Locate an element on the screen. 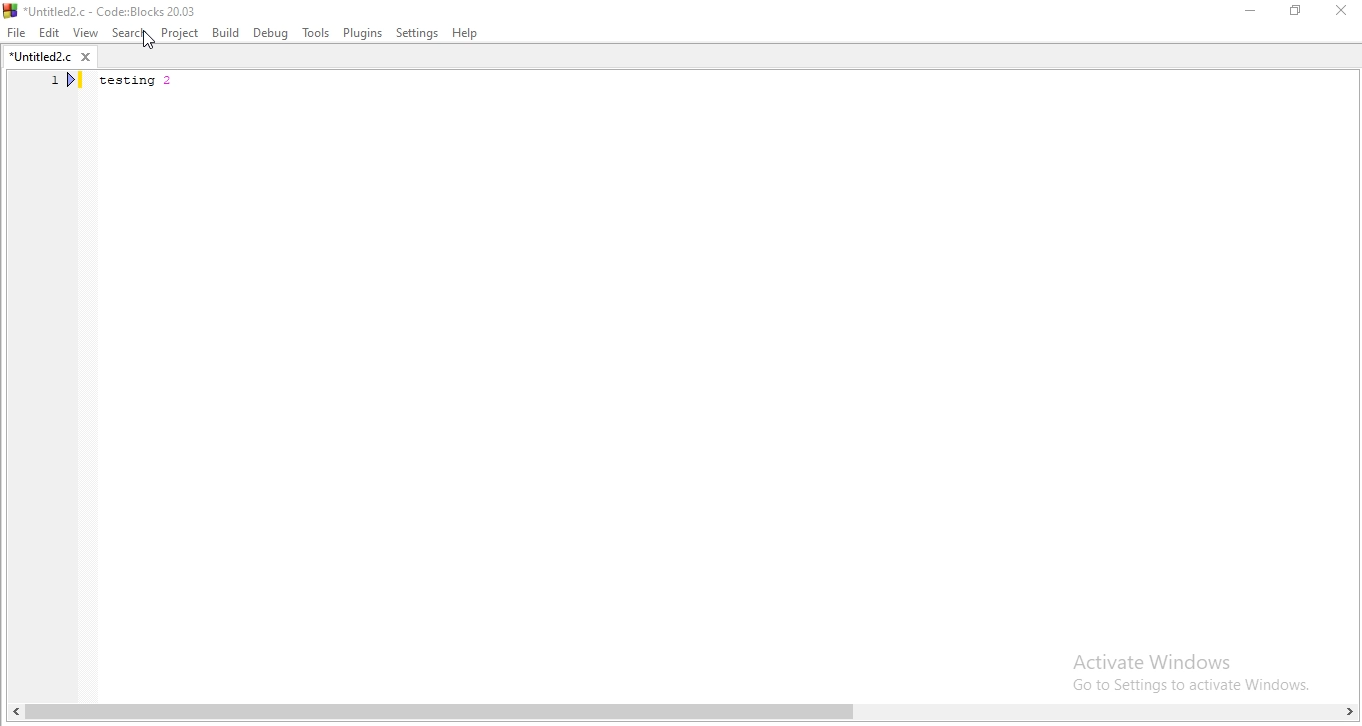 The image size is (1362, 726). Search  is located at coordinates (127, 32).